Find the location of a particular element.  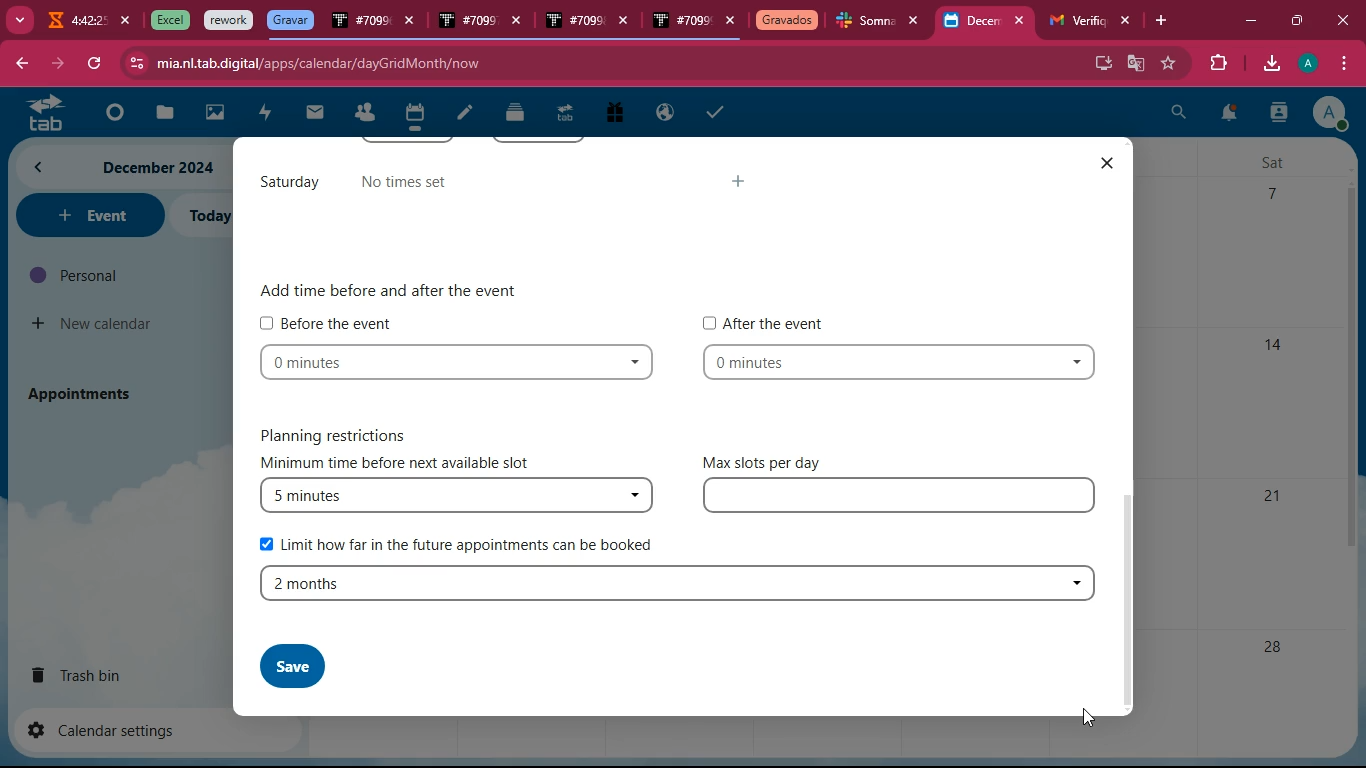

save is located at coordinates (291, 667).